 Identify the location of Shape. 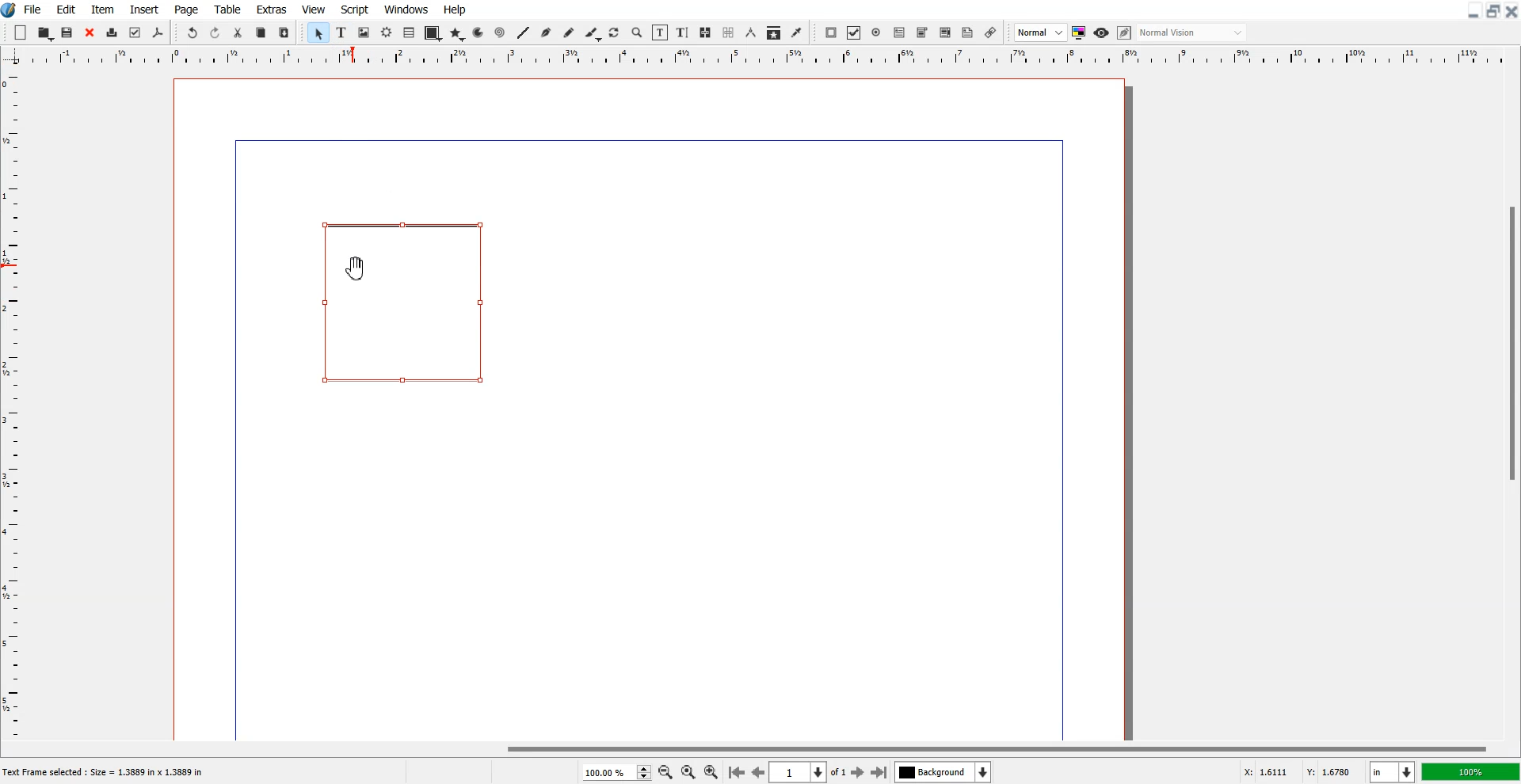
(433, 33).